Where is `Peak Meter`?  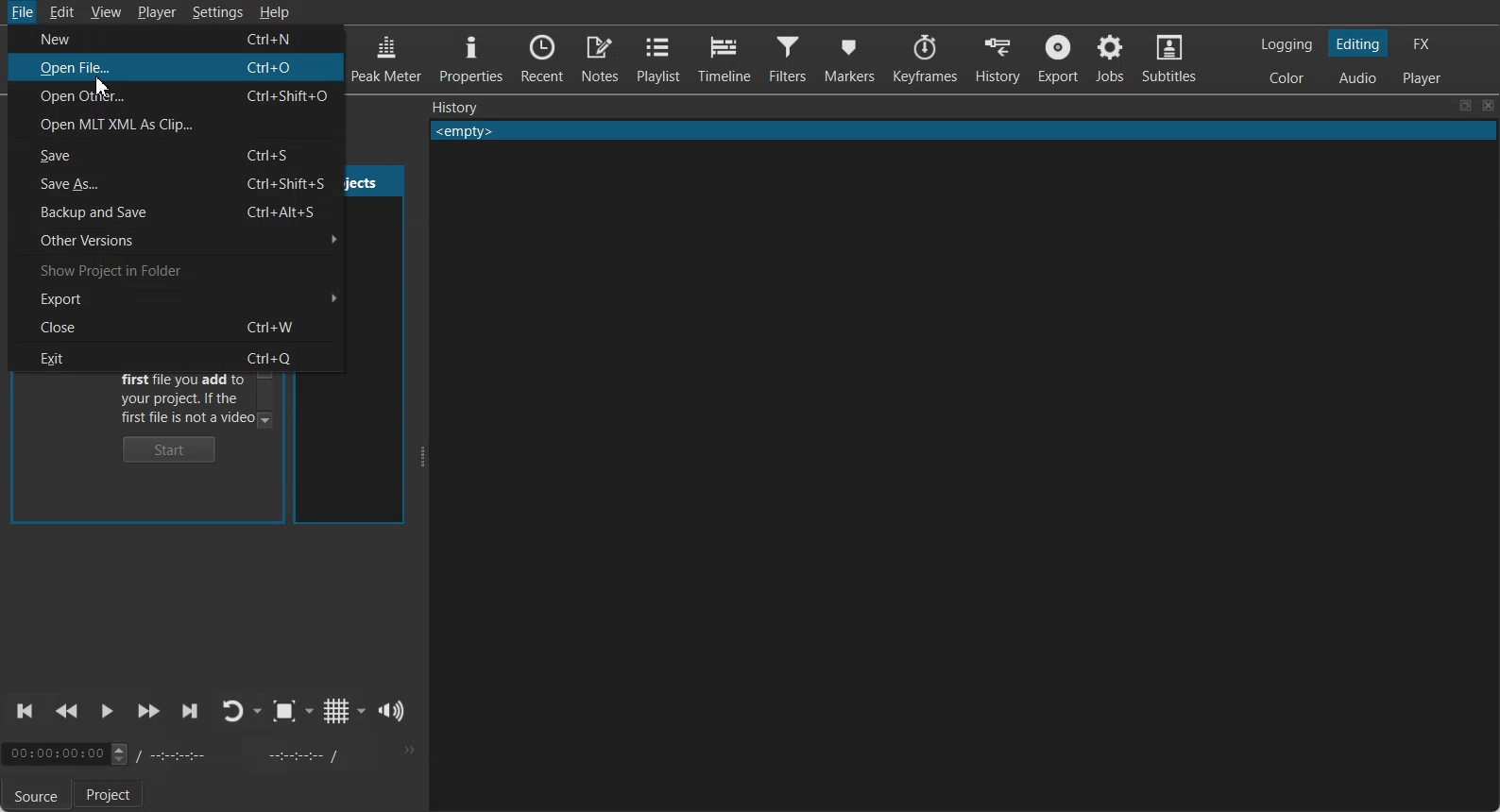
Peak Meter is located at coordinates (386, 57).